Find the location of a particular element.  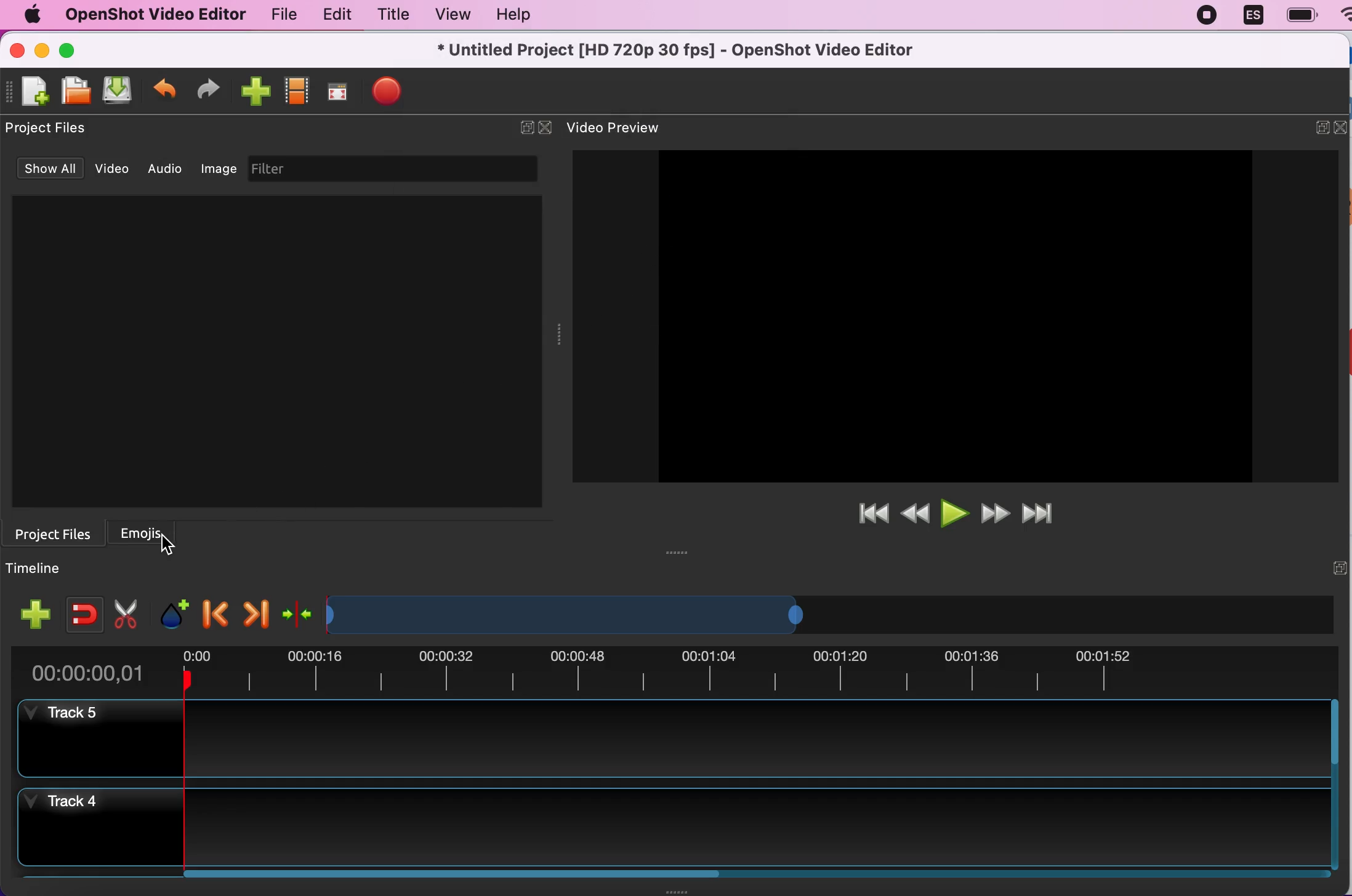

recording stopped is located at coordinates (1202, 15).